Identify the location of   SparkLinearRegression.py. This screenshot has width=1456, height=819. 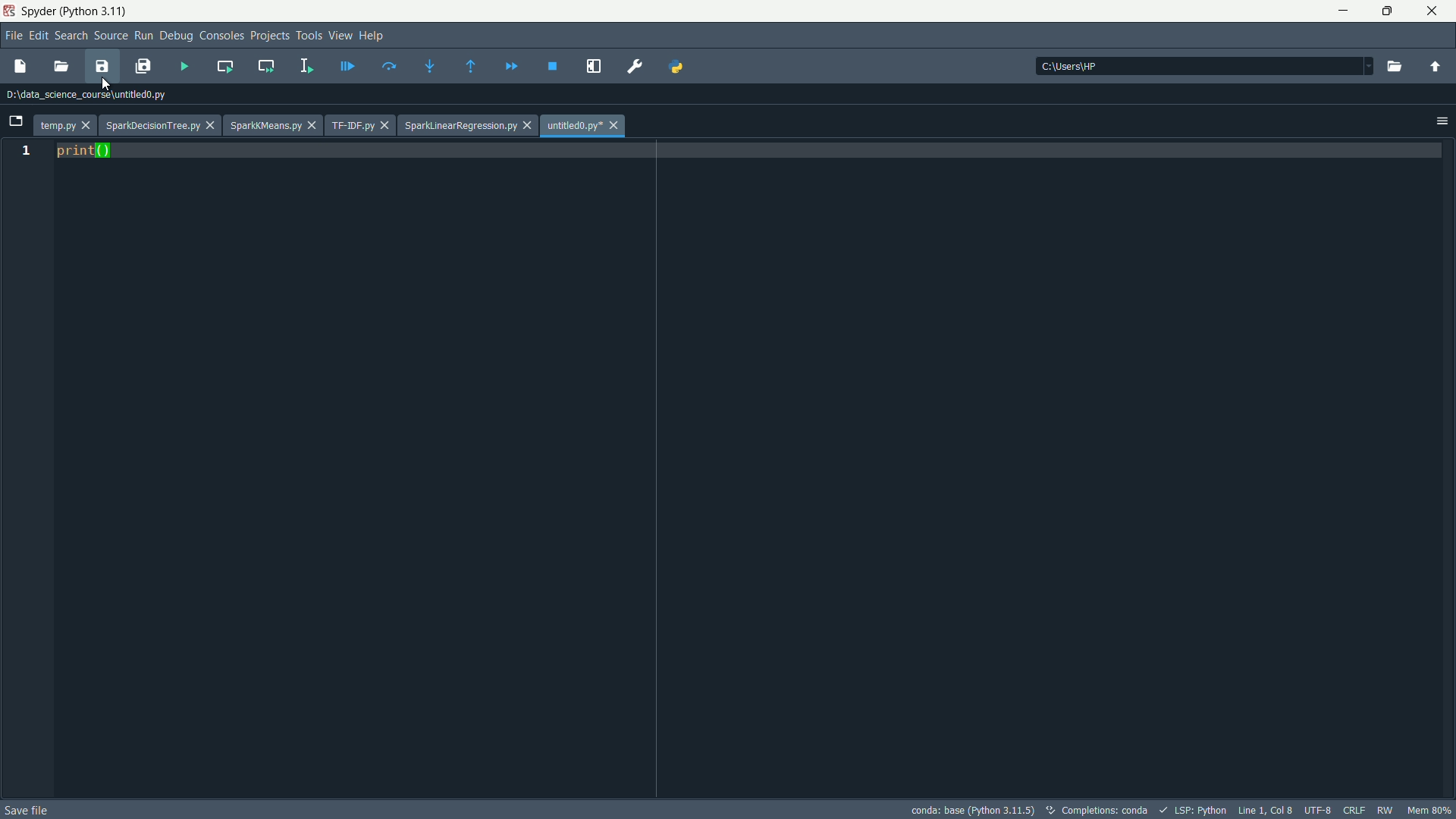
(460, 126).